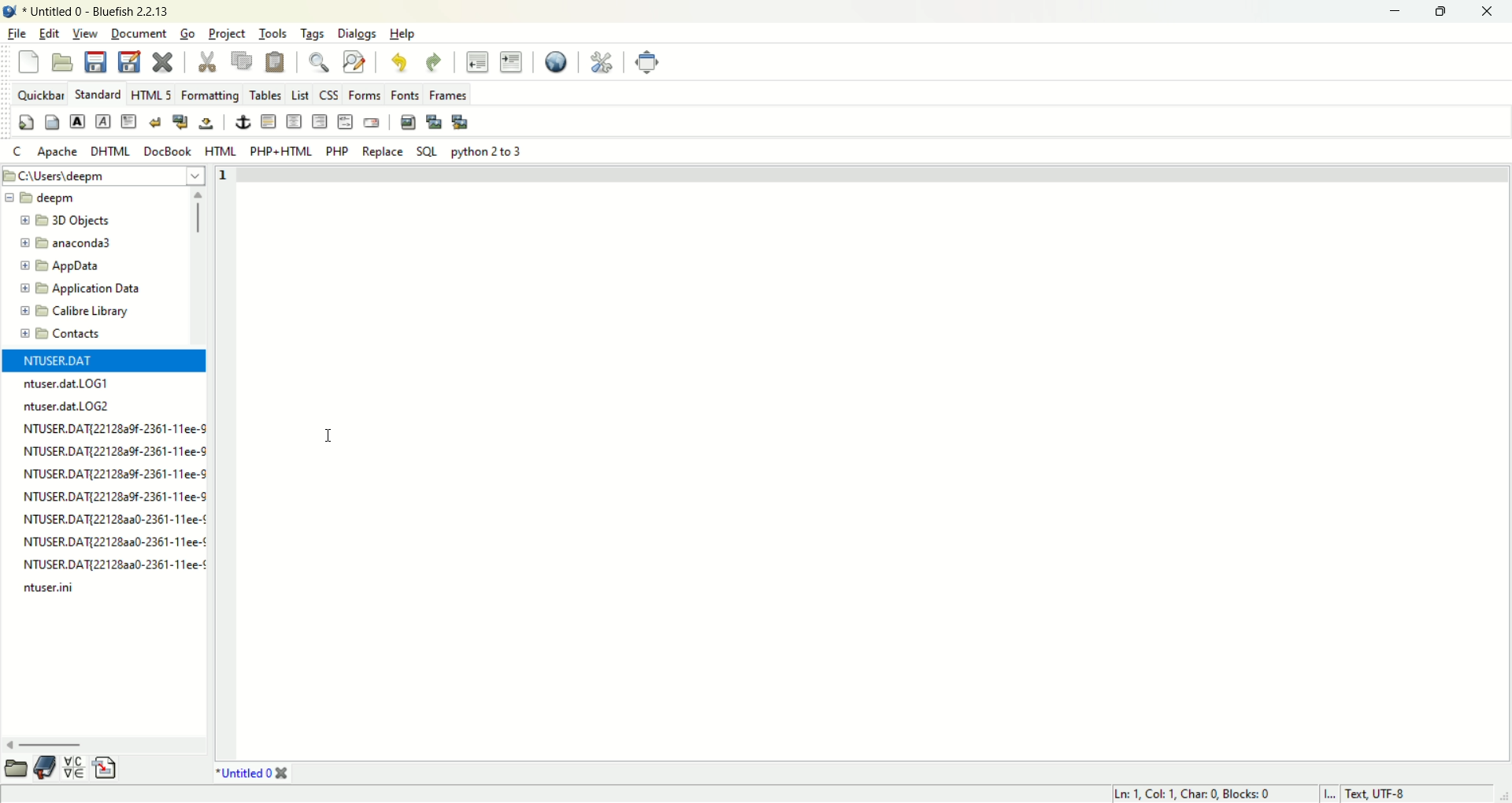 Image resolution: width=1512 pixels, height=803 pixels. I want to click on DocBook, so click(166, 150).